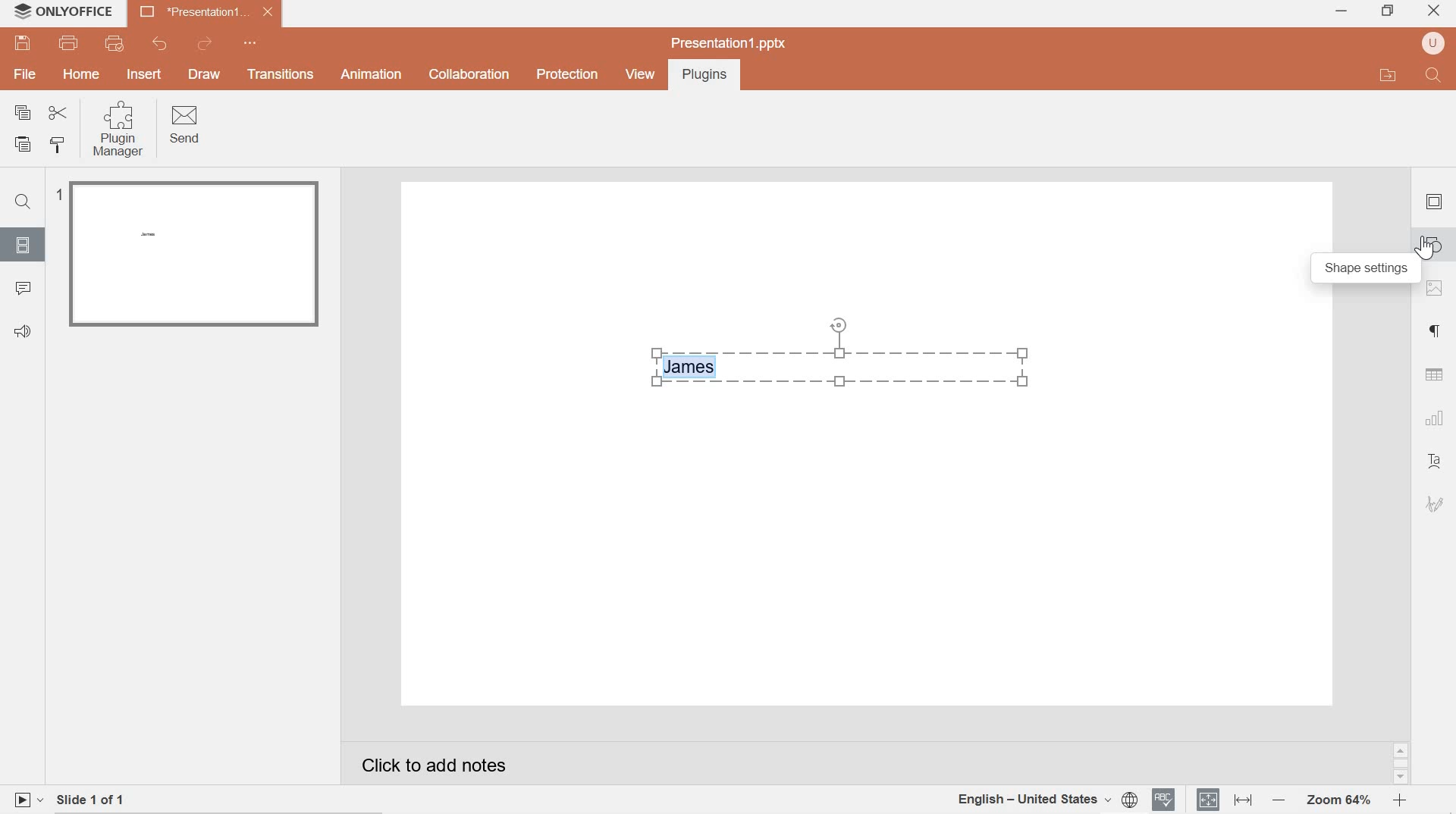 The width and height of the screenshot is (1456, 814). I want to click on shape settings, so click(1368, 271).